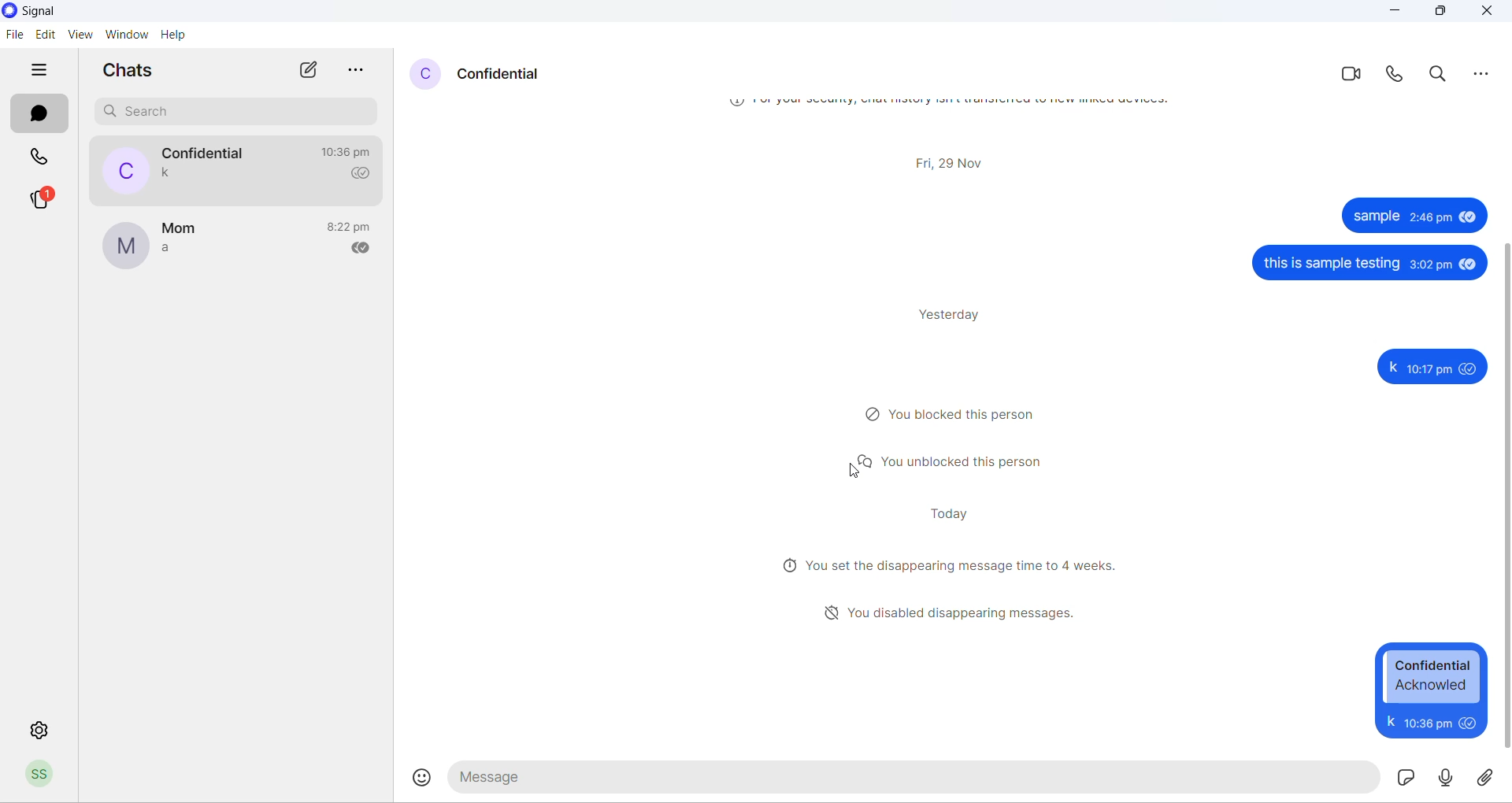 This screenshot has height=803, width=1512. What do you see at coordinates (1467, 215) in the screenshot?
I see `seen` at bounding box center [1467, 215].